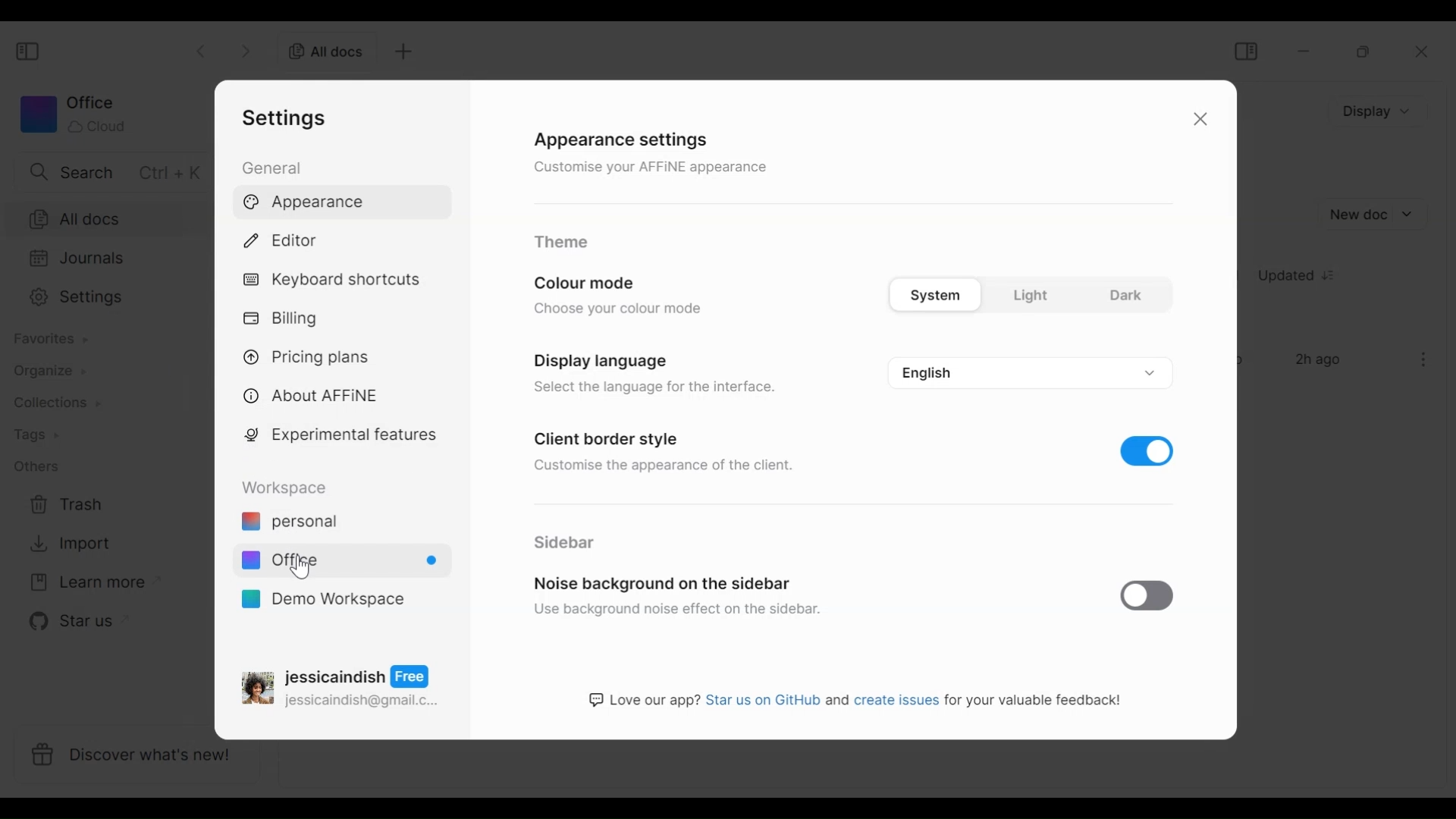 This screenshot has width=1456, height=819. What do you see at coordinates (1364, 52) in the screenshot?
I see `restore` at bounding box center [1364, 52].